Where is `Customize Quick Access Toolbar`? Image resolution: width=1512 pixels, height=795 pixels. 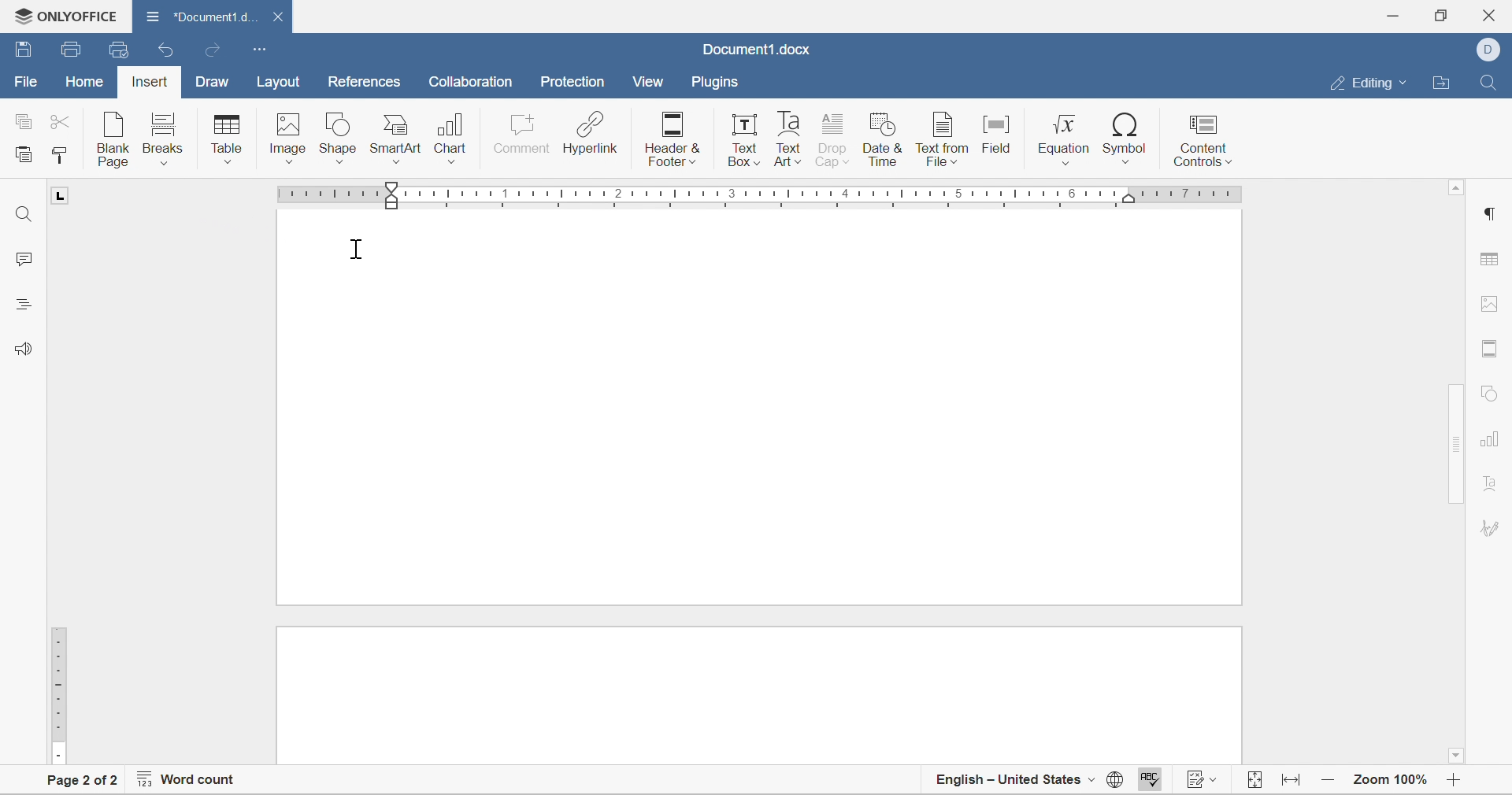 Customize Quick Access Toolbar is located at coordinates (259, 49).